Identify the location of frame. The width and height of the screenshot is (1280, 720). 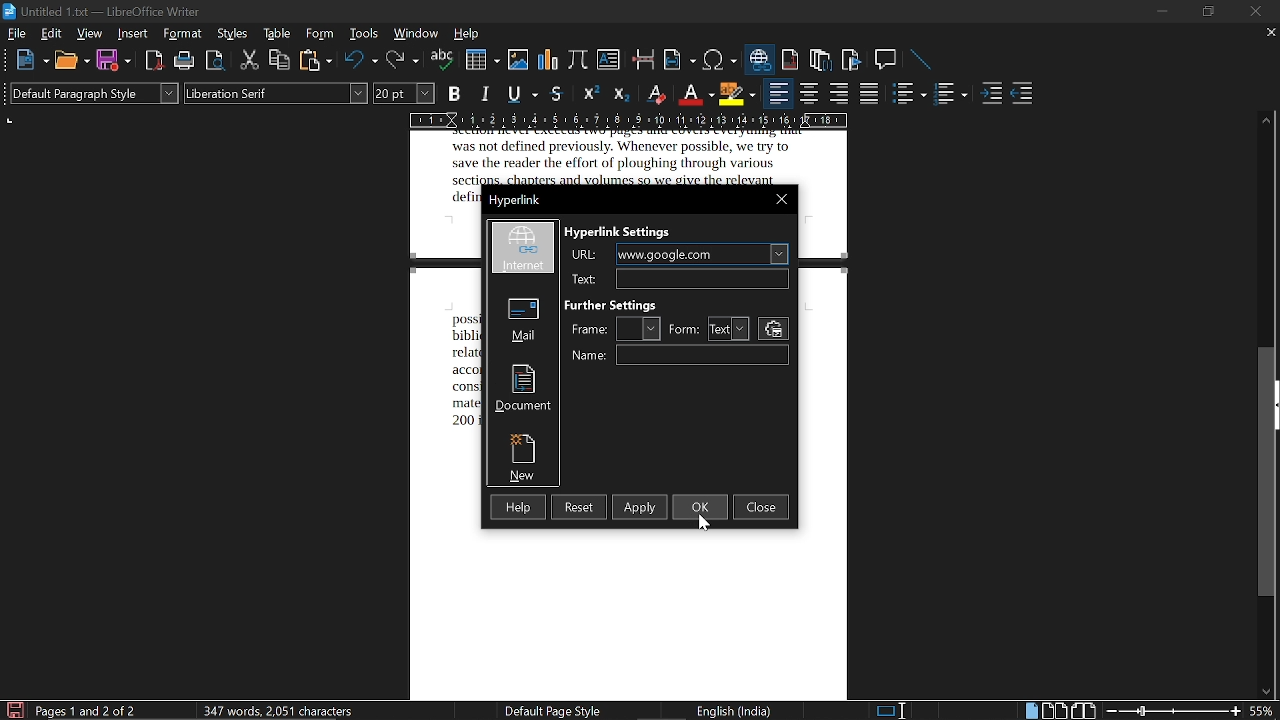
(641, 328).